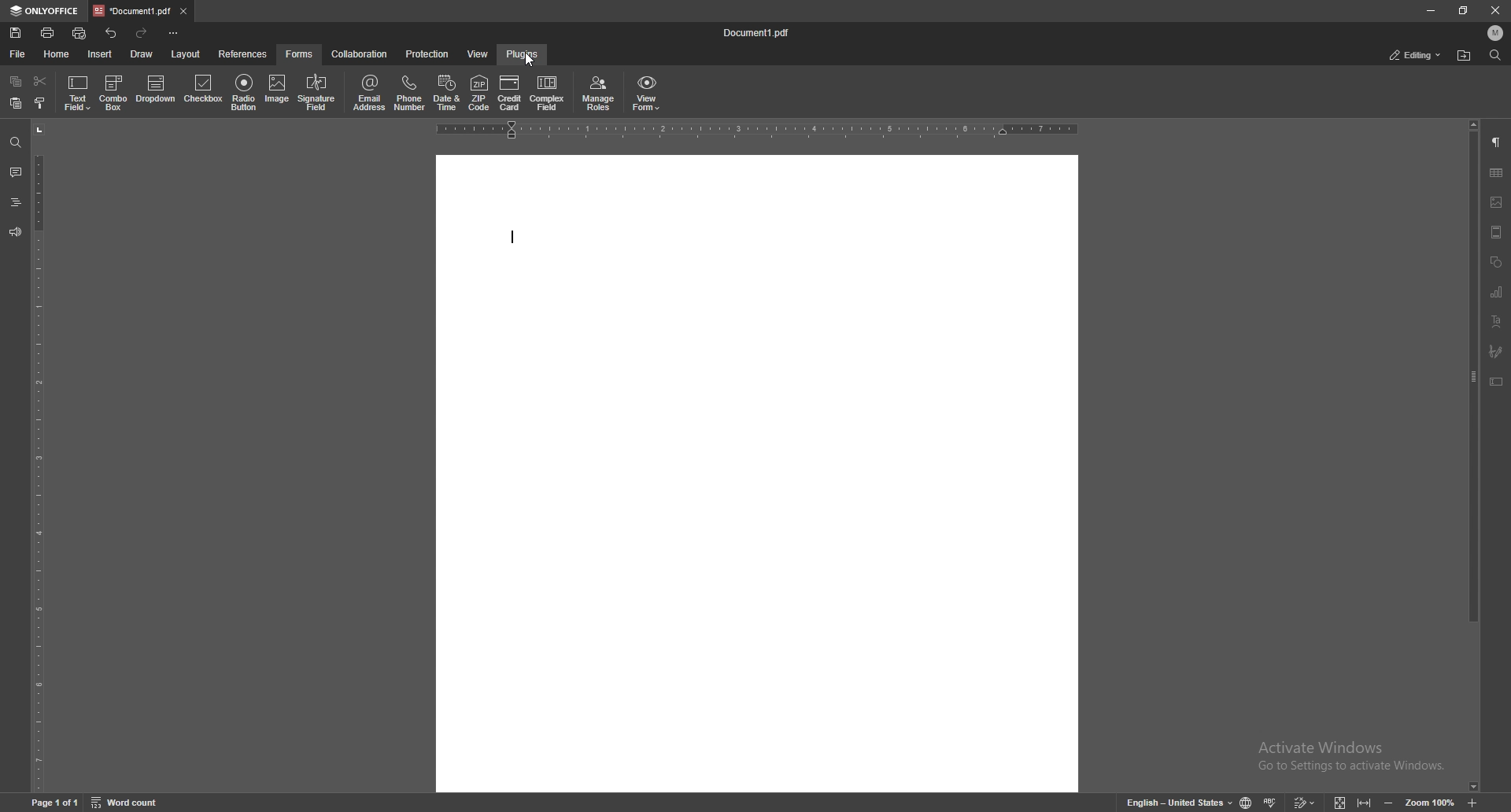 This screenshot has width=1511, height=812. What do you see at coordinates (759, 34) in the screenshot?
I see `file name` at bounding box center [759, 34].